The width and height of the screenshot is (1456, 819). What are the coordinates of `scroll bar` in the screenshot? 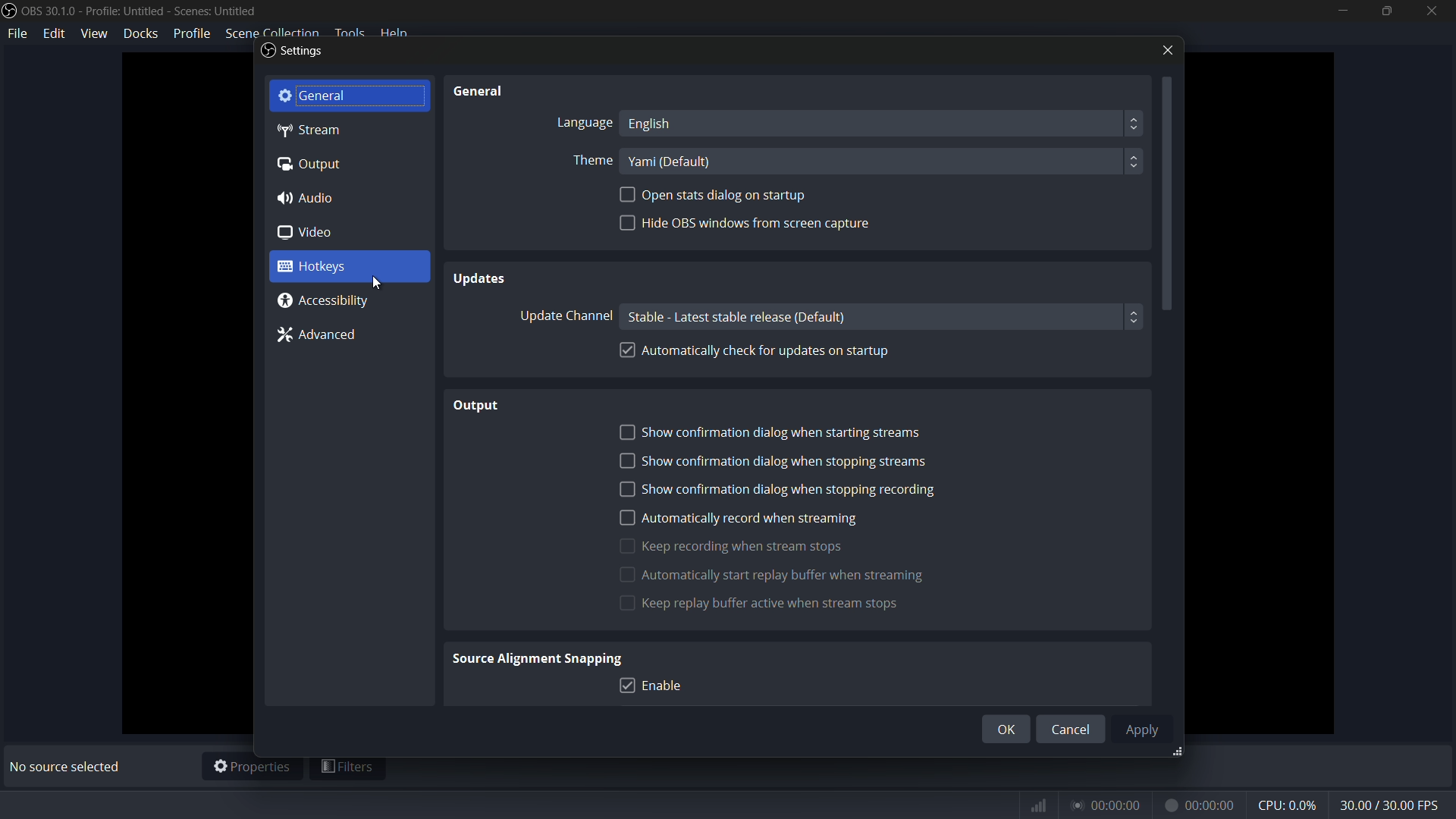 It's located at (1166, 195).